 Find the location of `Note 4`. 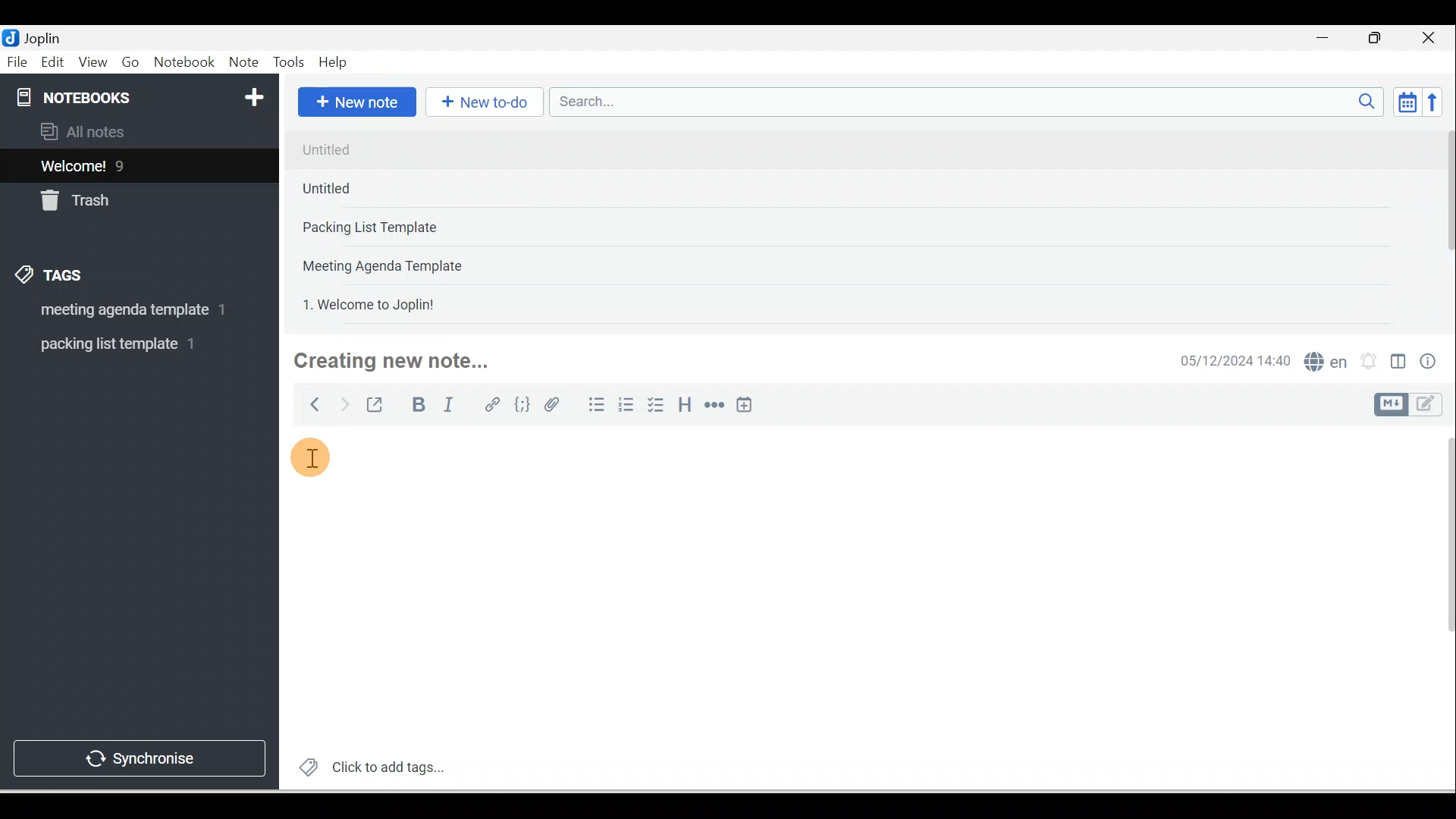

Note 4 is located at coordinates (403, 262).